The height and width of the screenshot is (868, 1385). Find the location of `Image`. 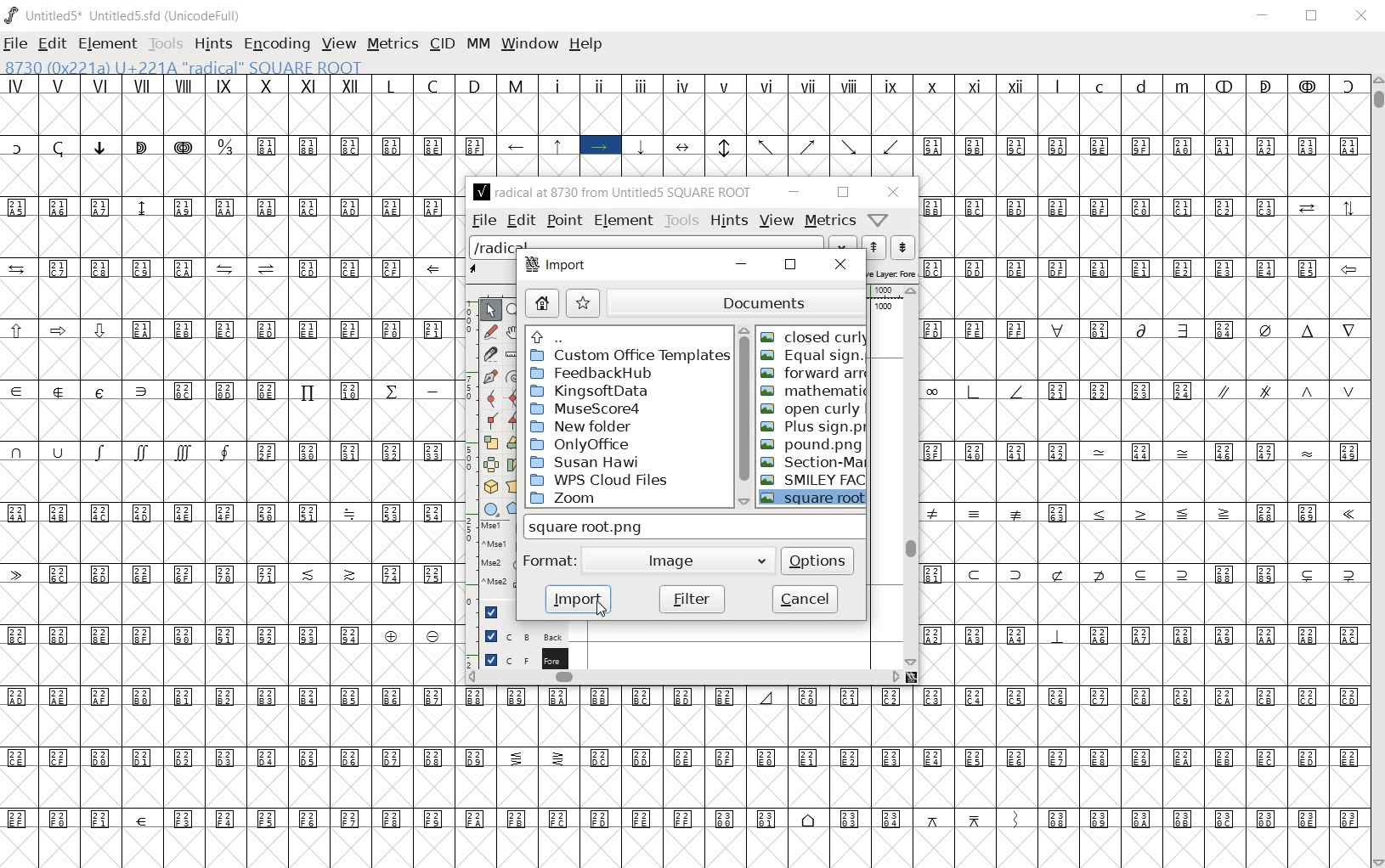

Image is located at coordinates (683, 560).